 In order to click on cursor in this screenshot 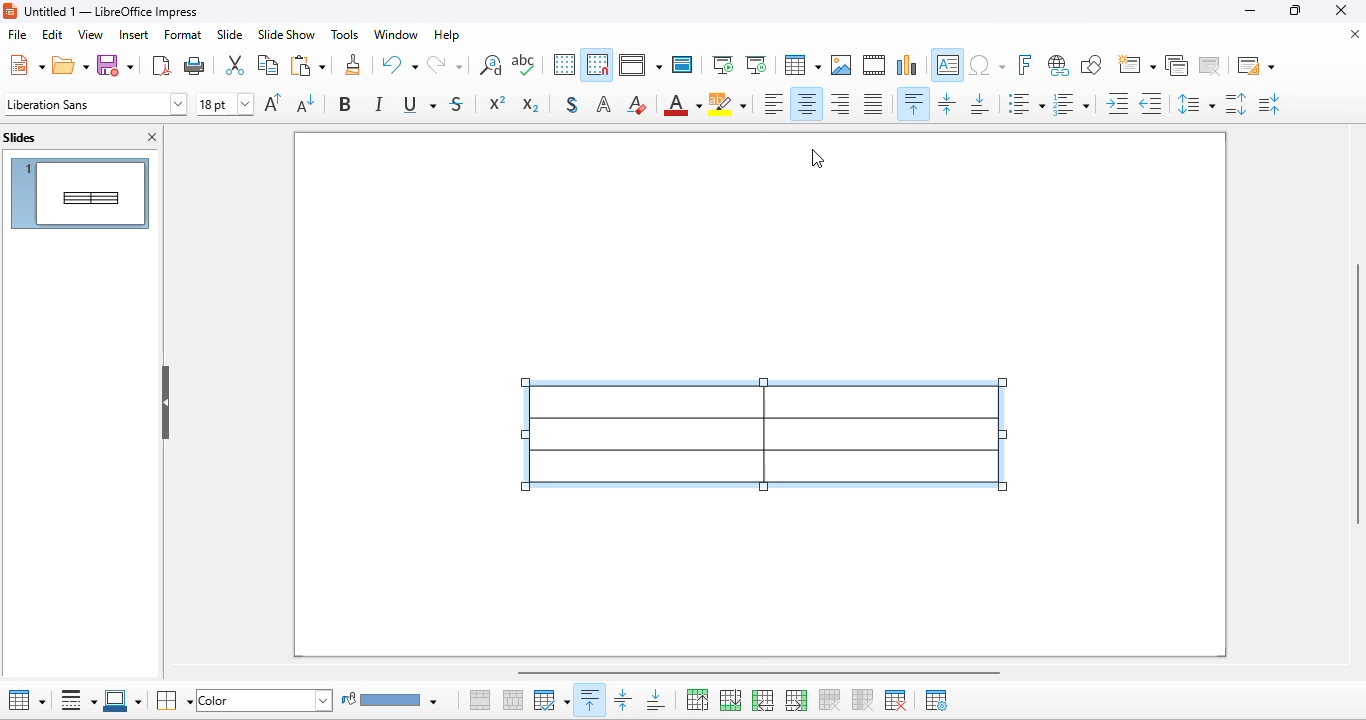, I will do `click(819, 158)`.